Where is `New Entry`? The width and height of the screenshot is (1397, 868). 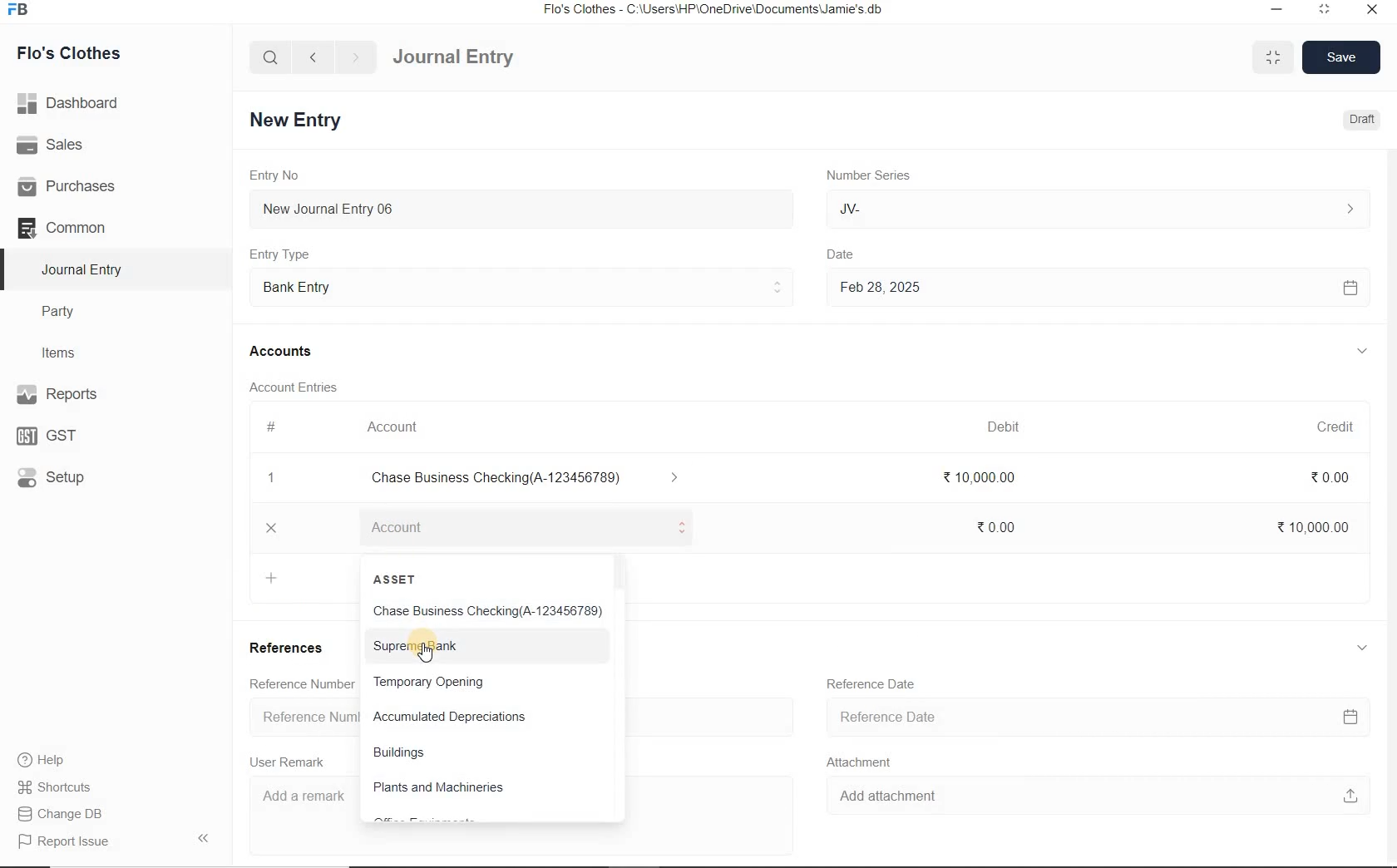 New Entry is located at coordinates (299, 119).